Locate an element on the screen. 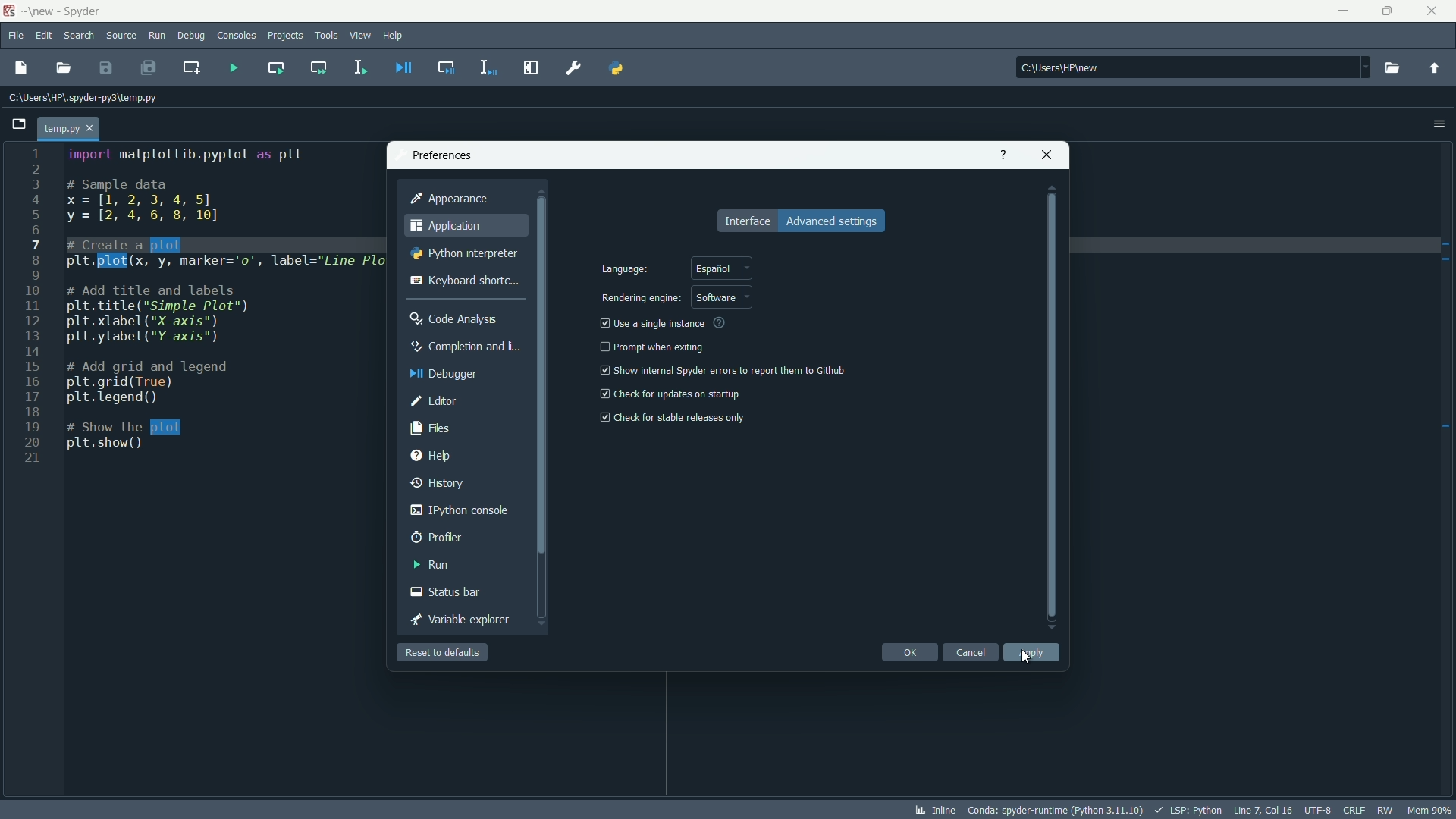 This screenshot has height=819, width=1456. checkbox is located at coordinates (602, 418).